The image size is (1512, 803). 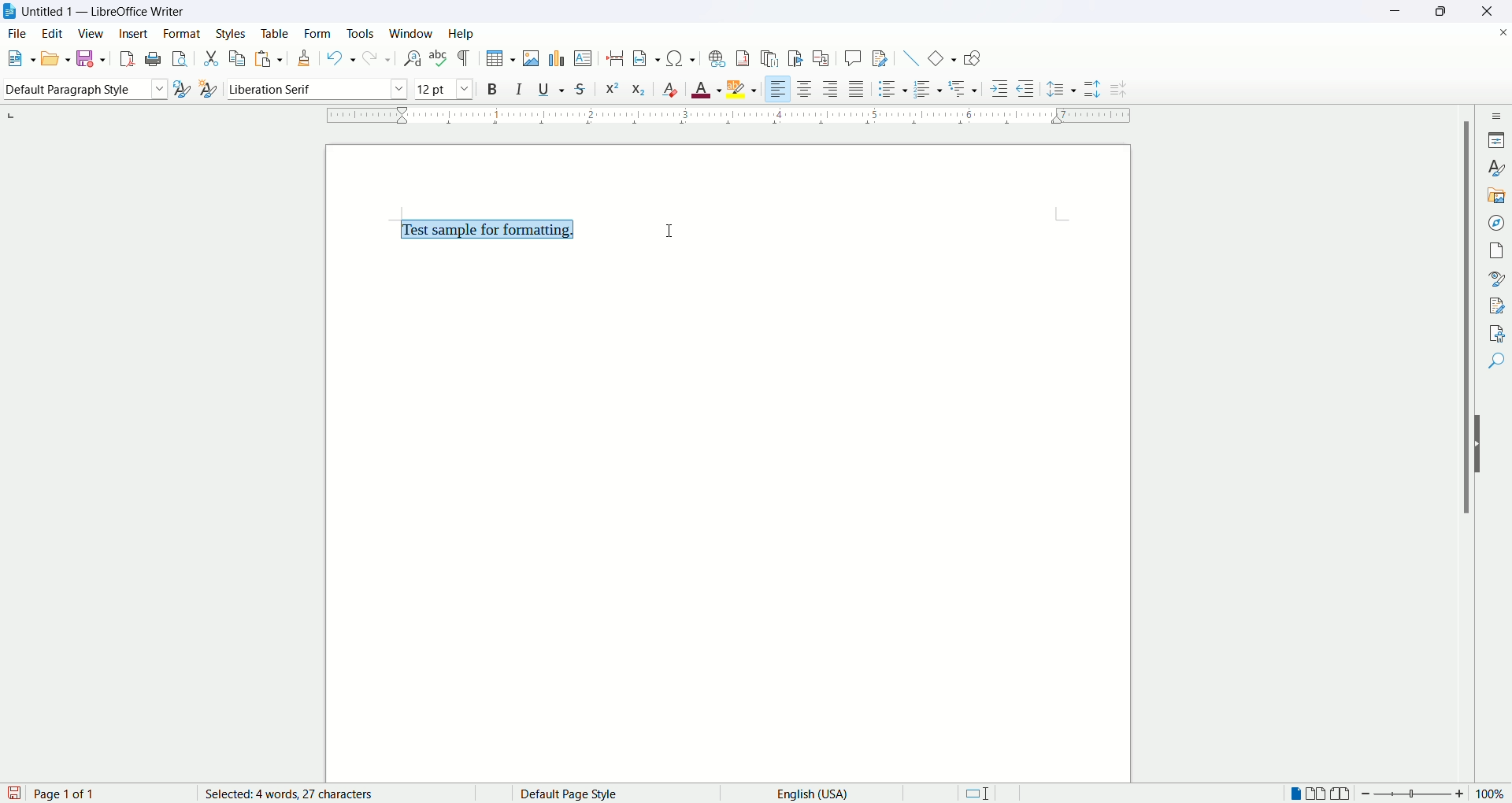 I want to click on justified, so click(x=856, y=91).